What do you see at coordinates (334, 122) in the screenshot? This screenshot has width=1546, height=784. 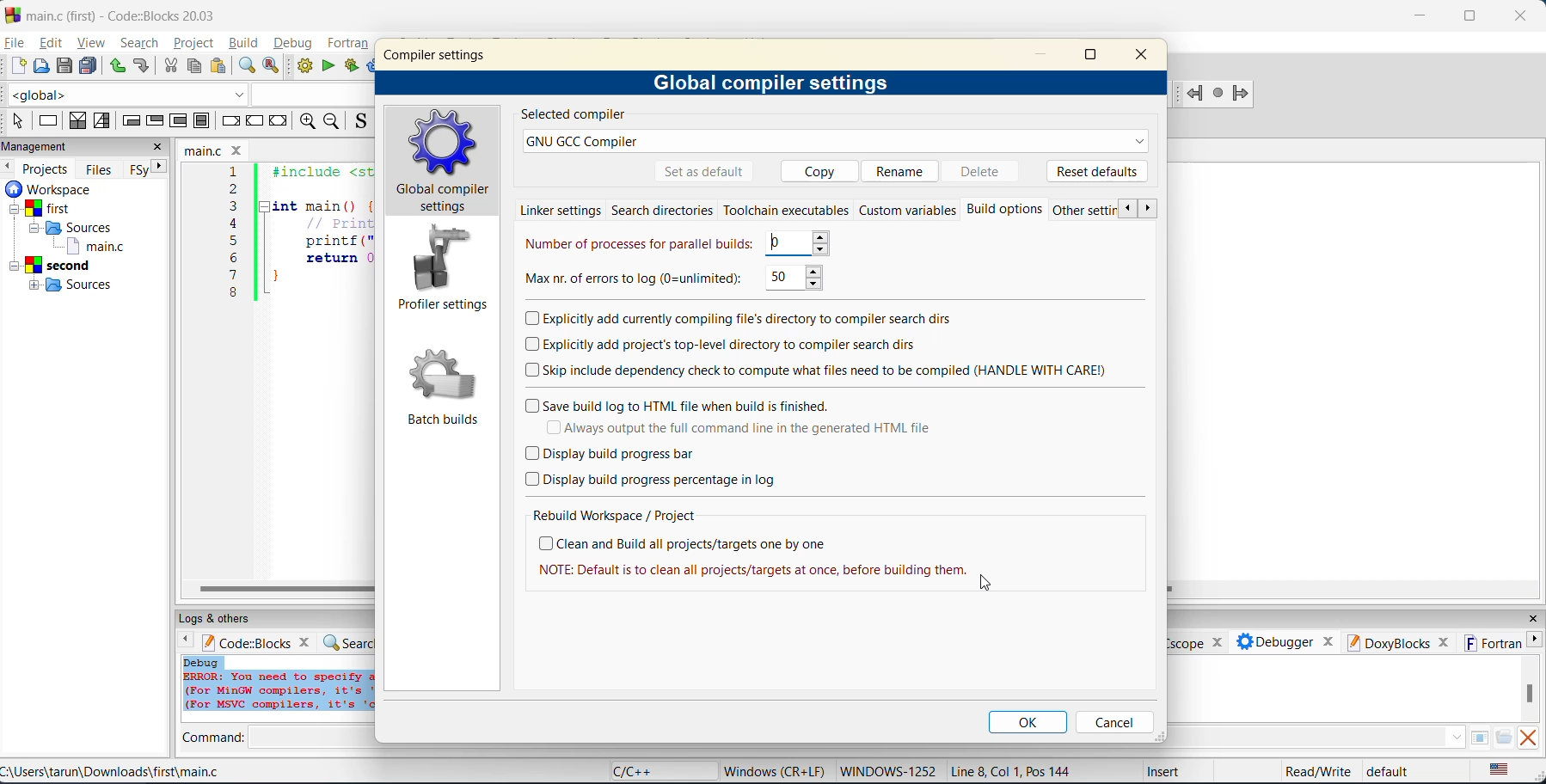 I see `zoom out` at bounding box center [334, 122].